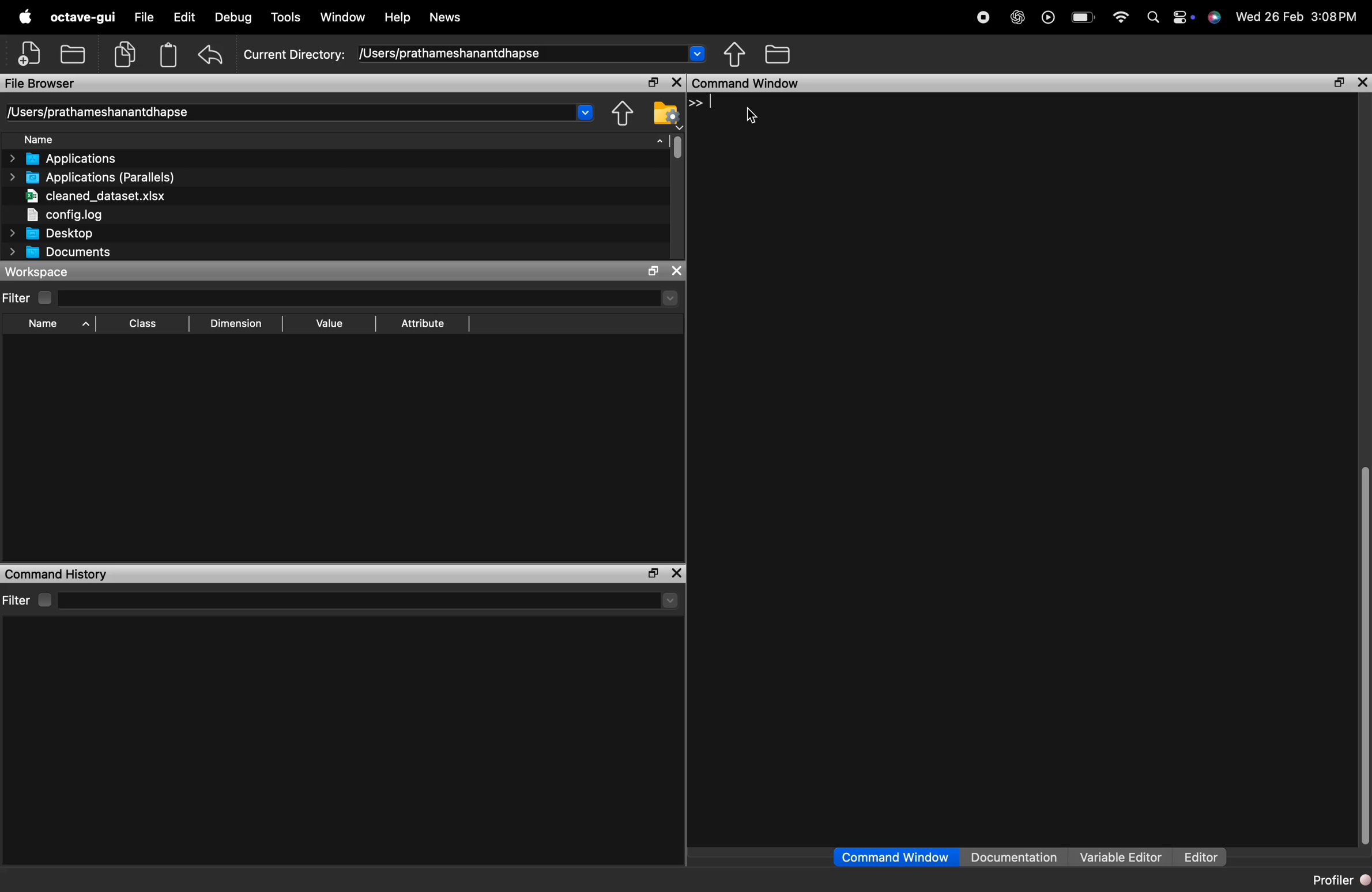  What do you see at coordinates (142, 17) in the screenshot?
I see `File` at bounding box center [142, 17].